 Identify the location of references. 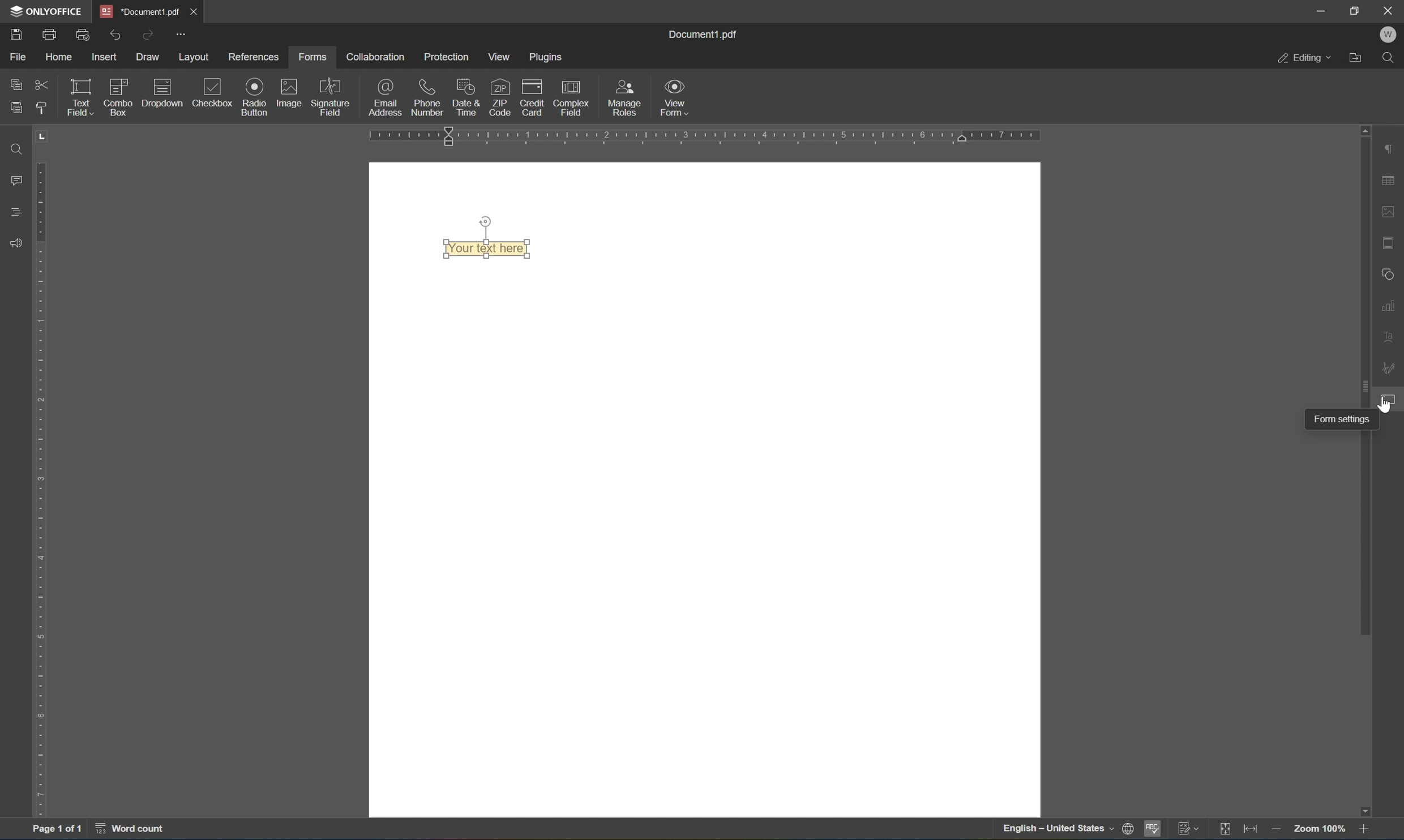
(256, 57).